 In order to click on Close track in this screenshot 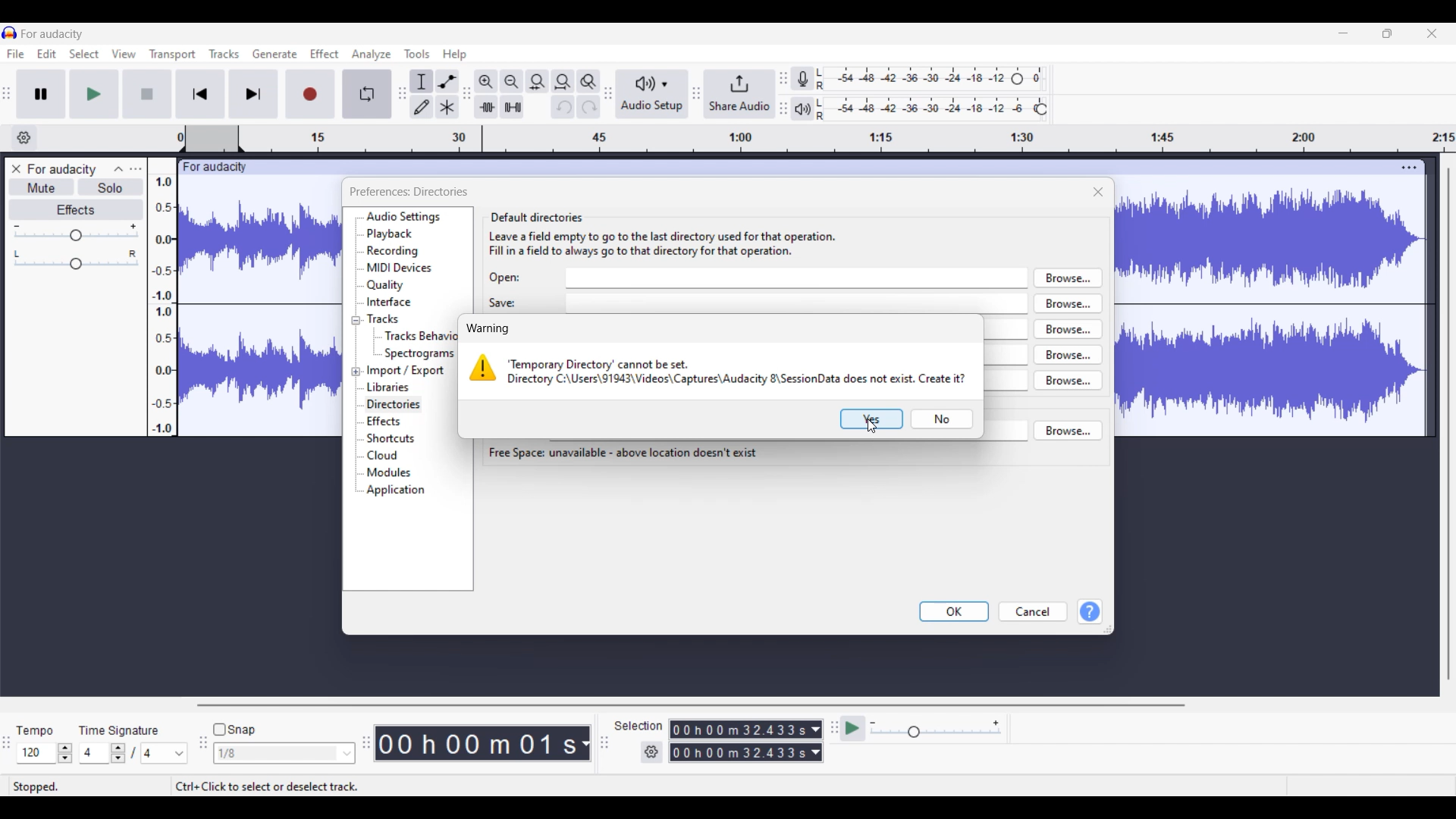, I will do `click(17, 169)`.